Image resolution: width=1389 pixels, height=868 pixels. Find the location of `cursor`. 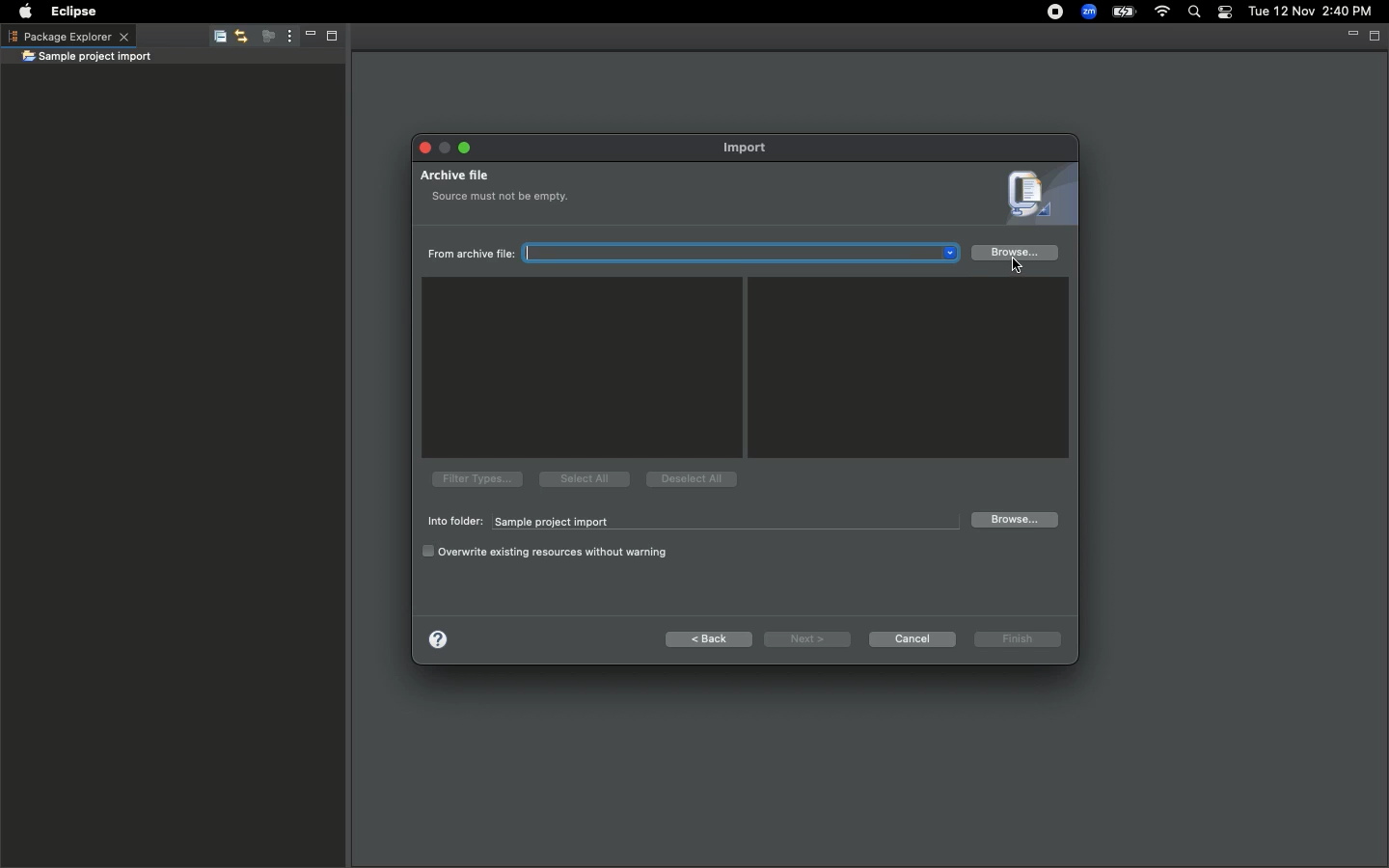

cursor is located at coordinates (1003, 266).